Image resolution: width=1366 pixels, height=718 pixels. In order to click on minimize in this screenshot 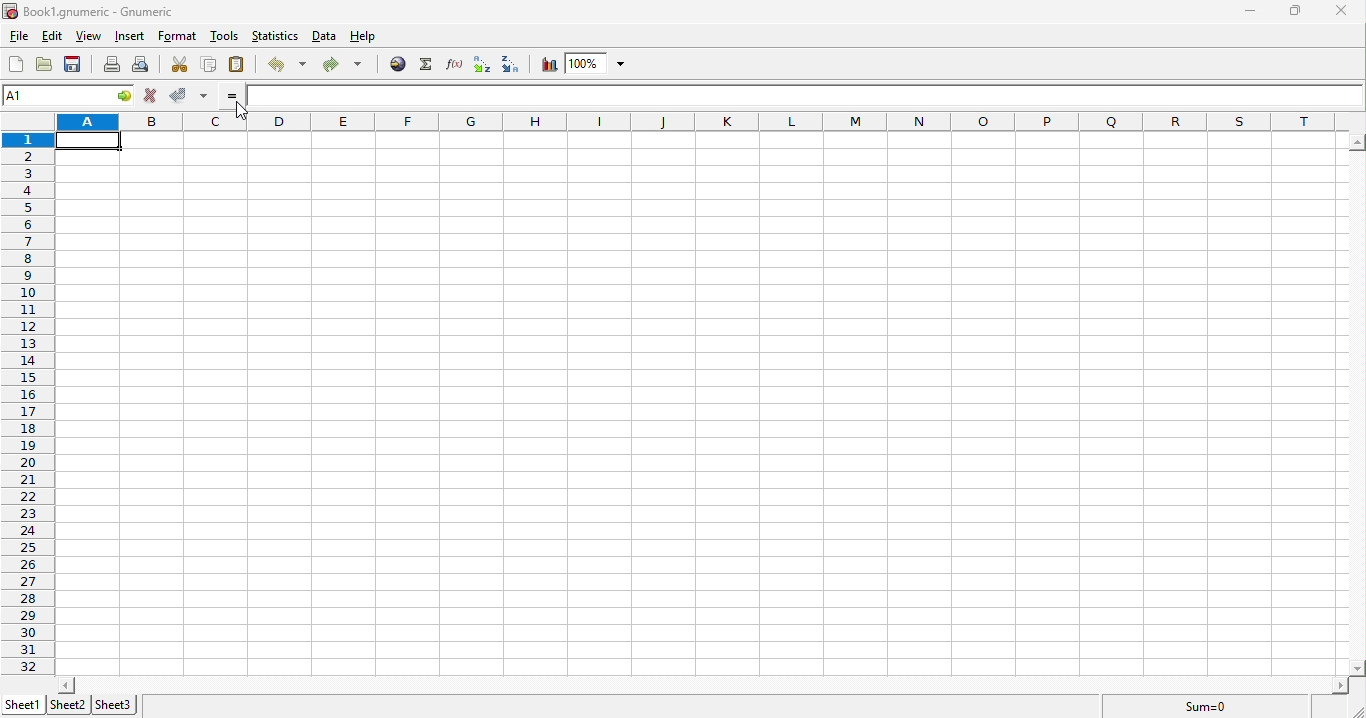, I will do `click(1247, 11)`.